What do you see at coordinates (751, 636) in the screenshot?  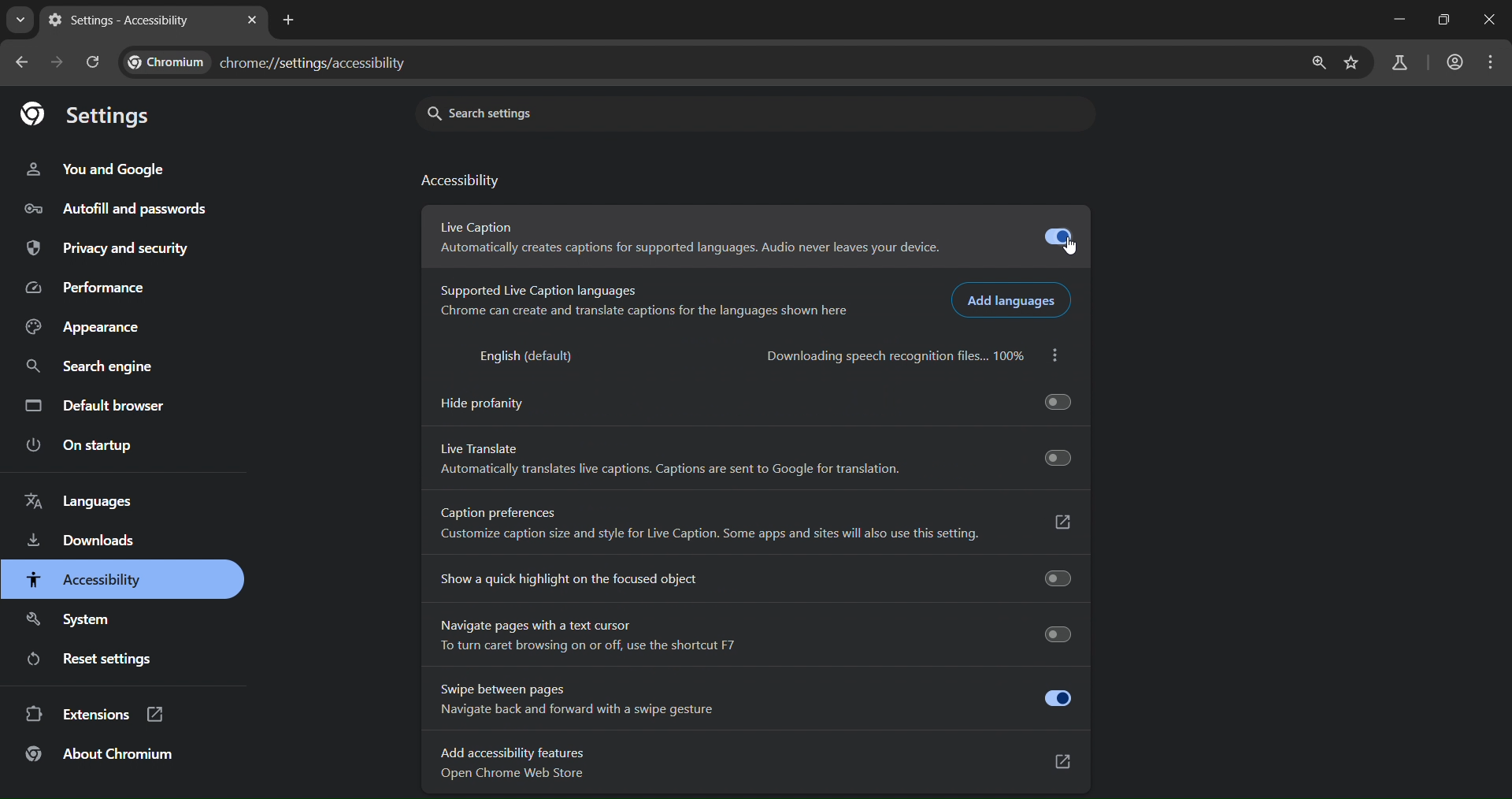 I see `Navigate pages with a text cursor
To turn caret browsing on or off, use the shortcut F7` at bounding box center [751, 636].